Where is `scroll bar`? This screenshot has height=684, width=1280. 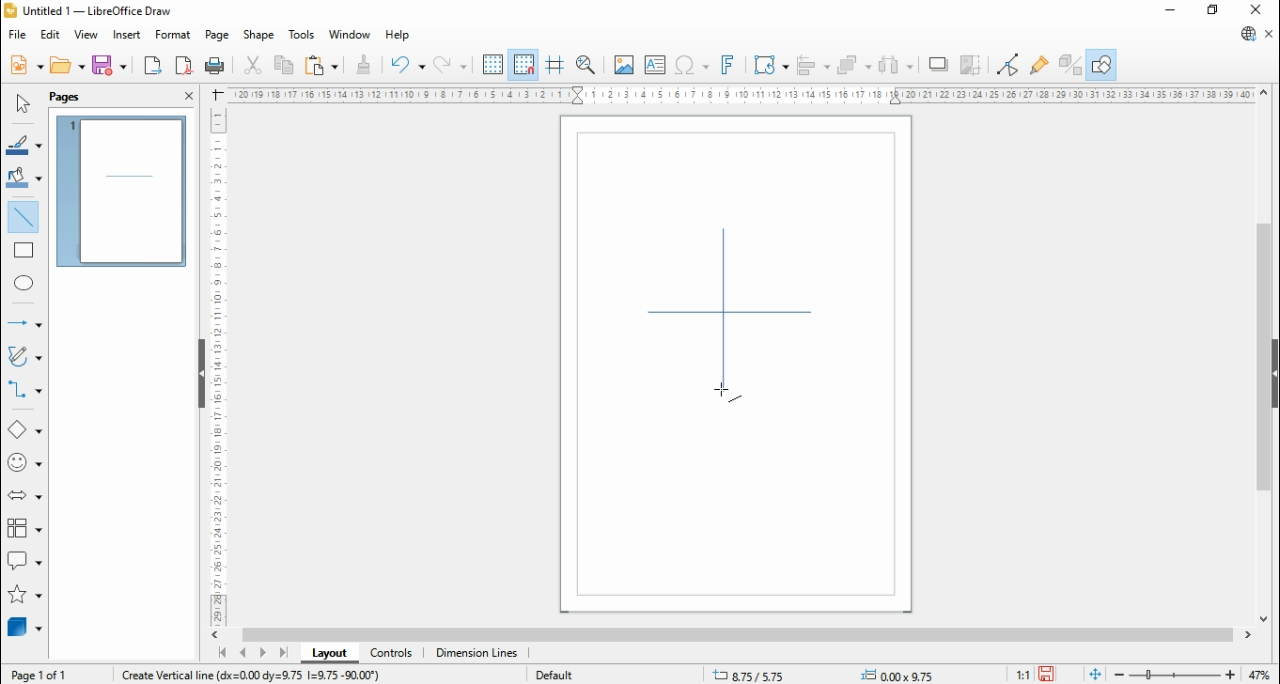
scroll bar is located at coordinates (1262, 357).